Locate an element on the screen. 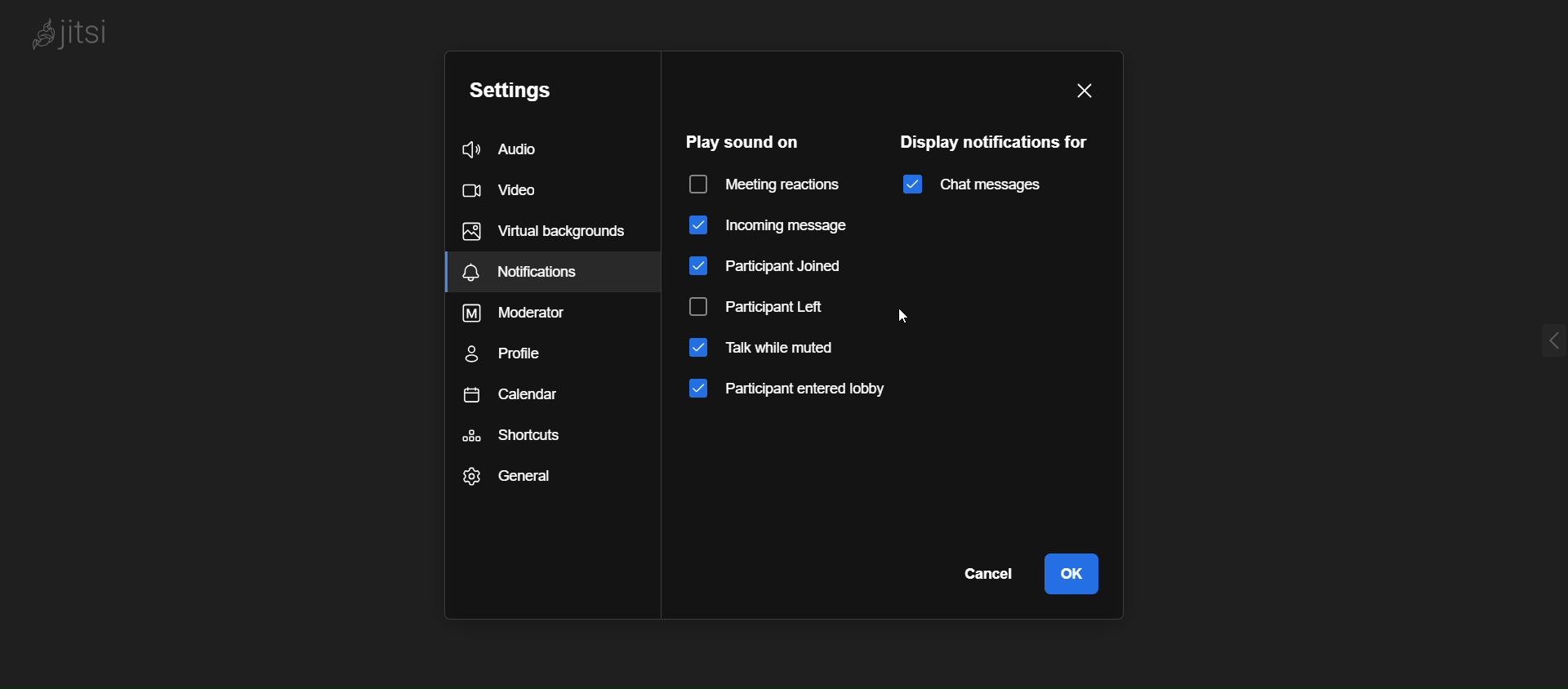  settings is located at coordinates (516, 88).